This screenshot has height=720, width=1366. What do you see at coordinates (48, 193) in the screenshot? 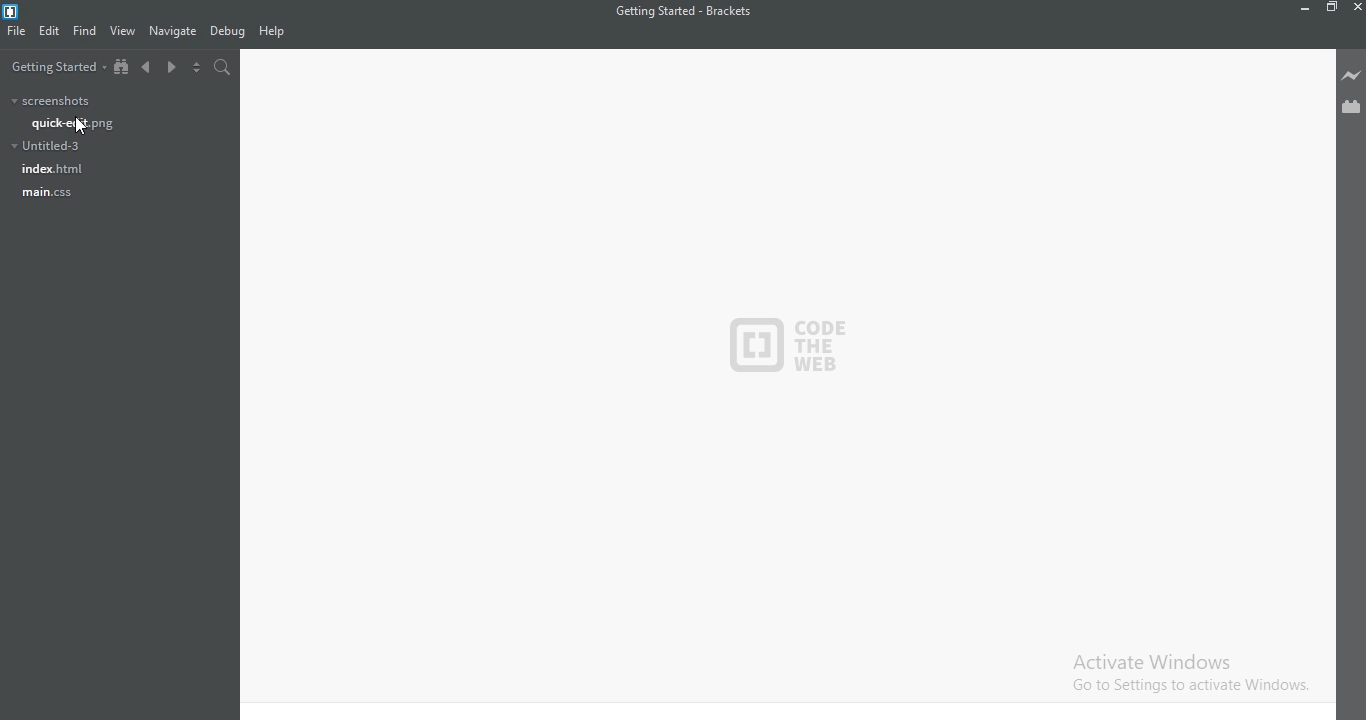
I see `main.css` at bounding box center [48, 193].